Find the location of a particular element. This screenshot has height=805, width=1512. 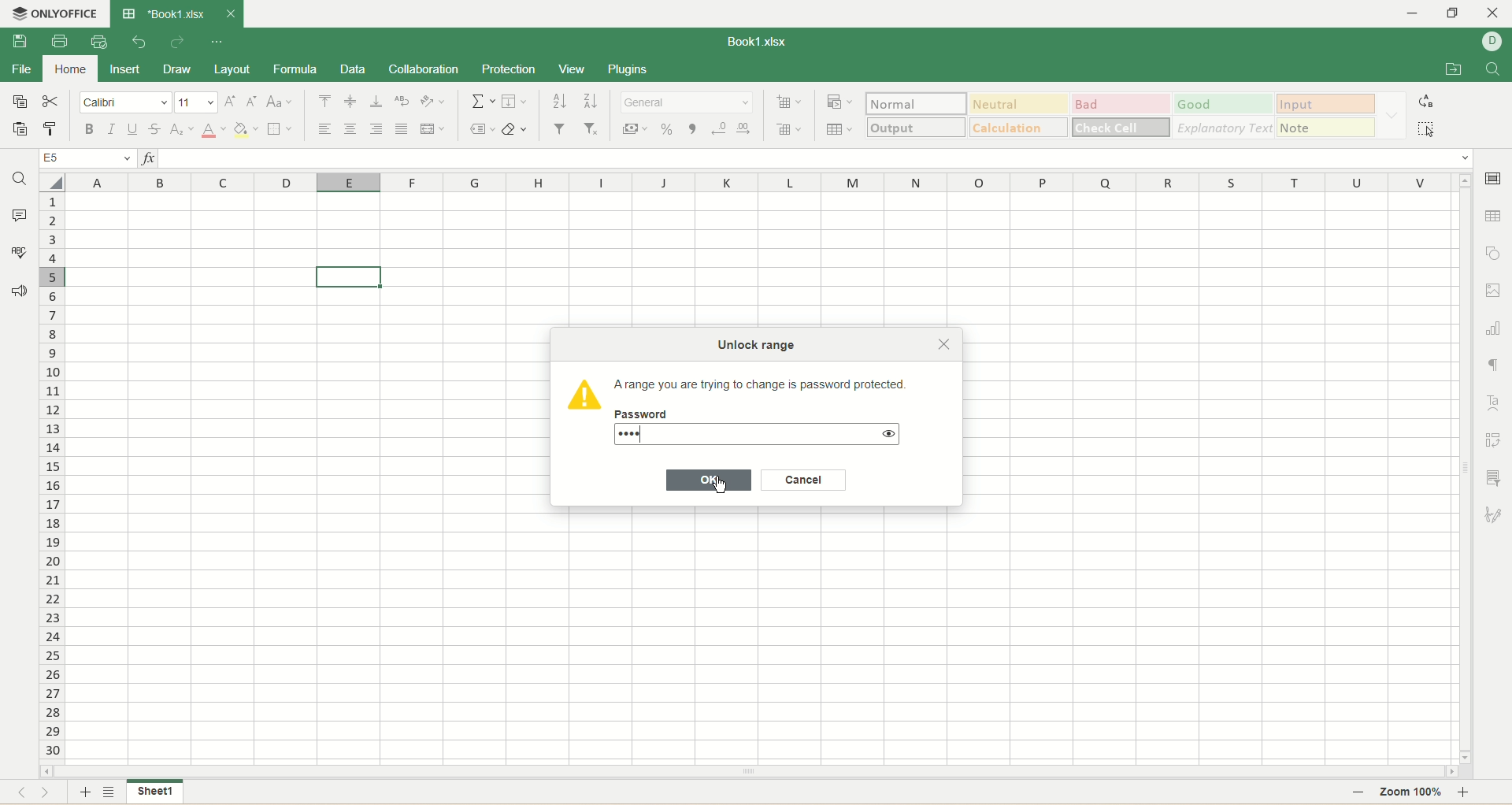

maximize is located at coordinates (1451, 13).